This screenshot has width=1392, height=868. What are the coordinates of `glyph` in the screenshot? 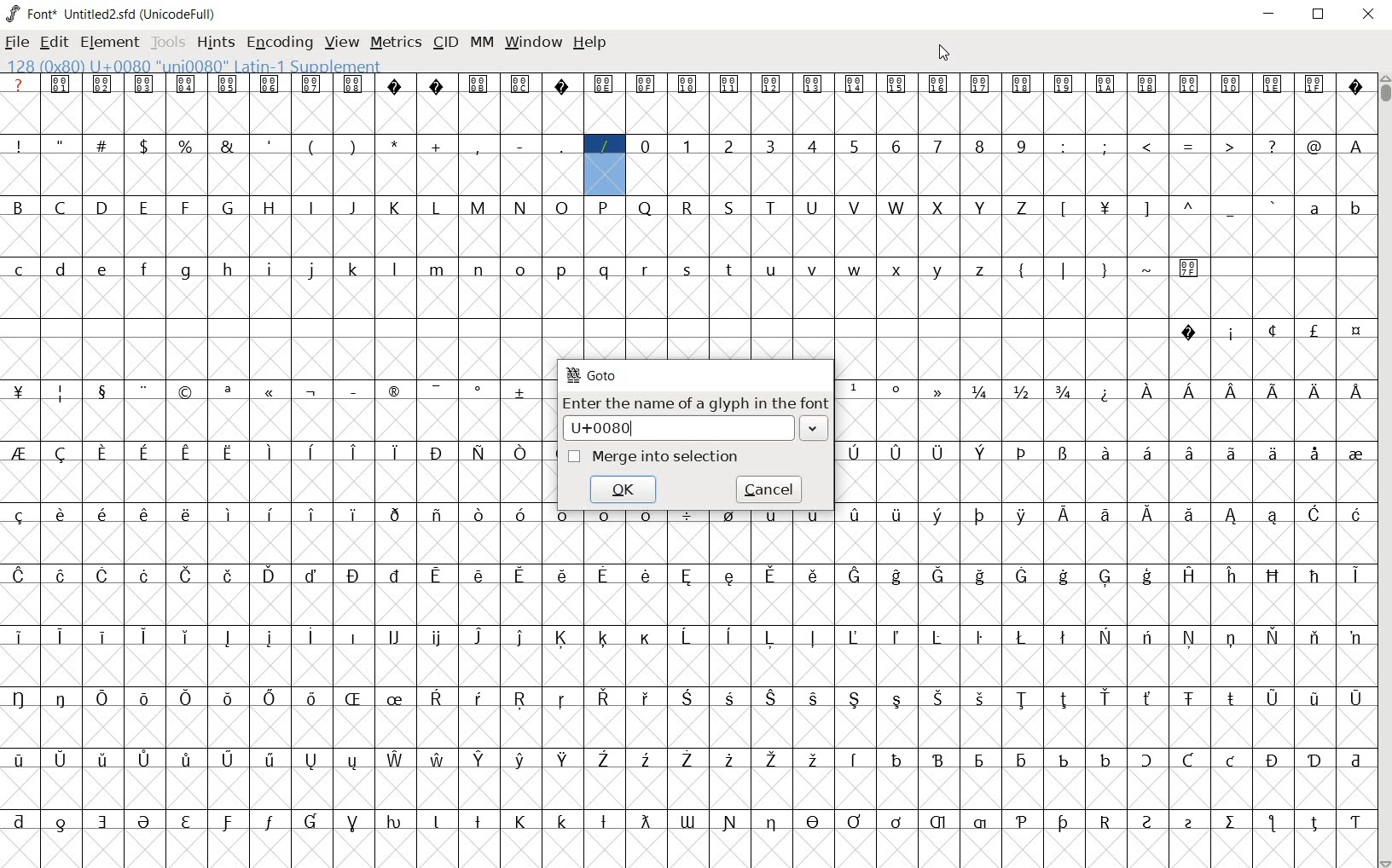 It's located at (1273, 516).